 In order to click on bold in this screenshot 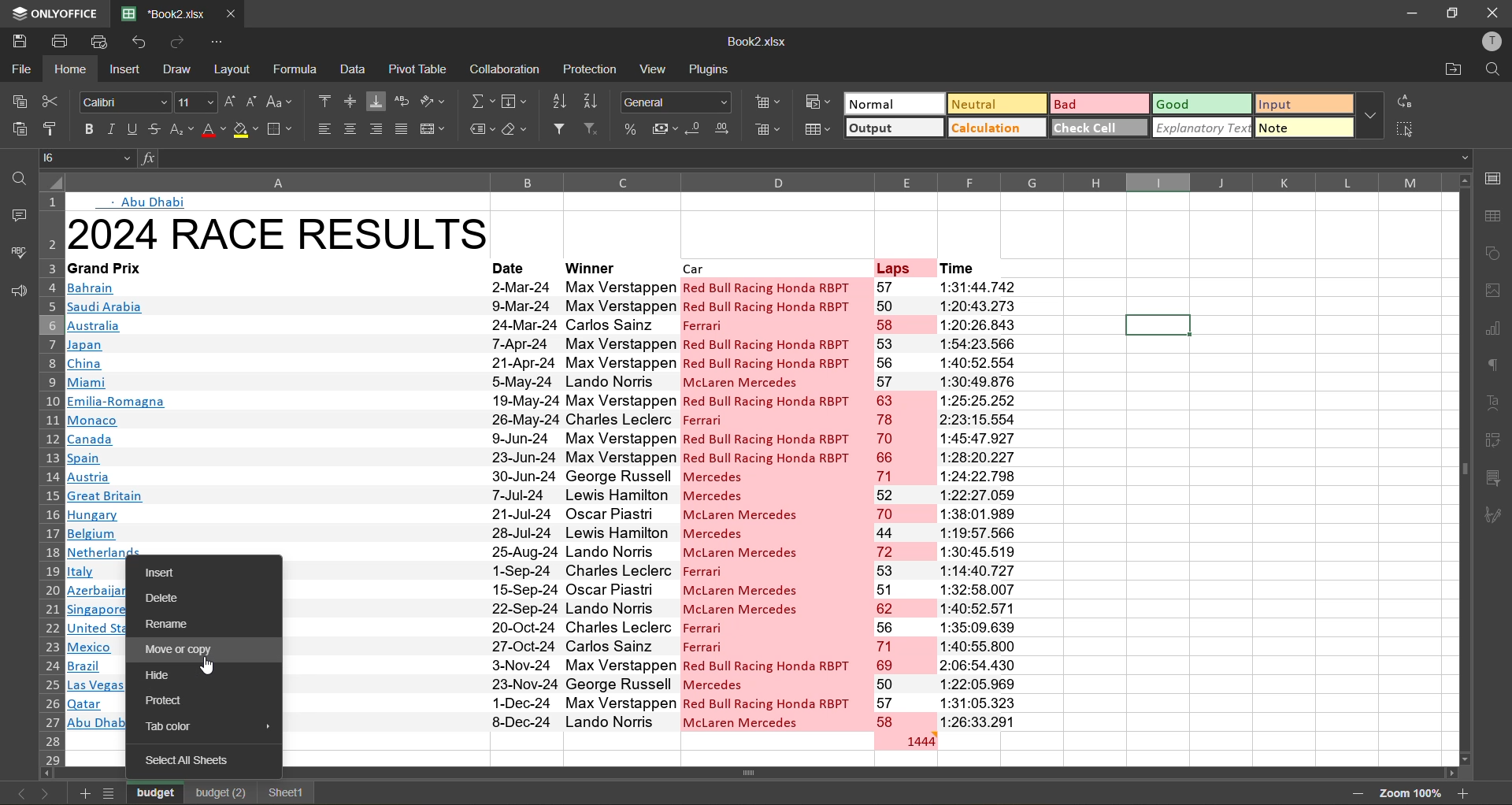, I will do `click(86, 128)`.